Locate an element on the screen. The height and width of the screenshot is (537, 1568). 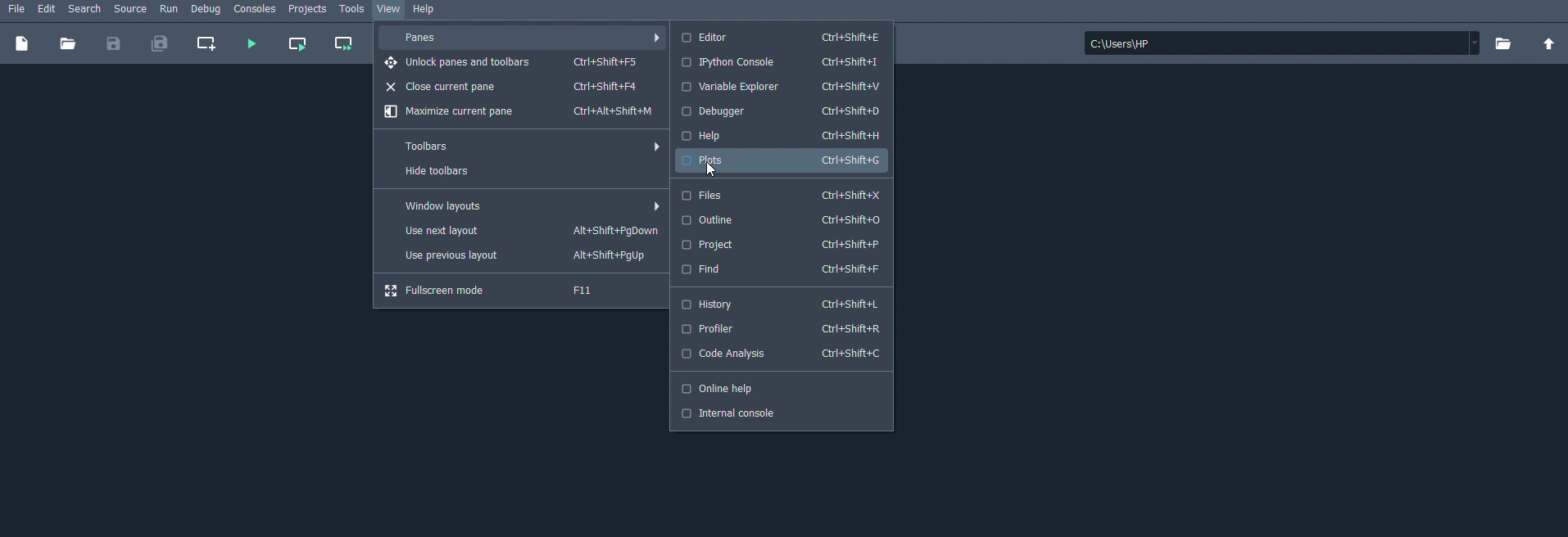
Run is located at coordinates (170, 11).